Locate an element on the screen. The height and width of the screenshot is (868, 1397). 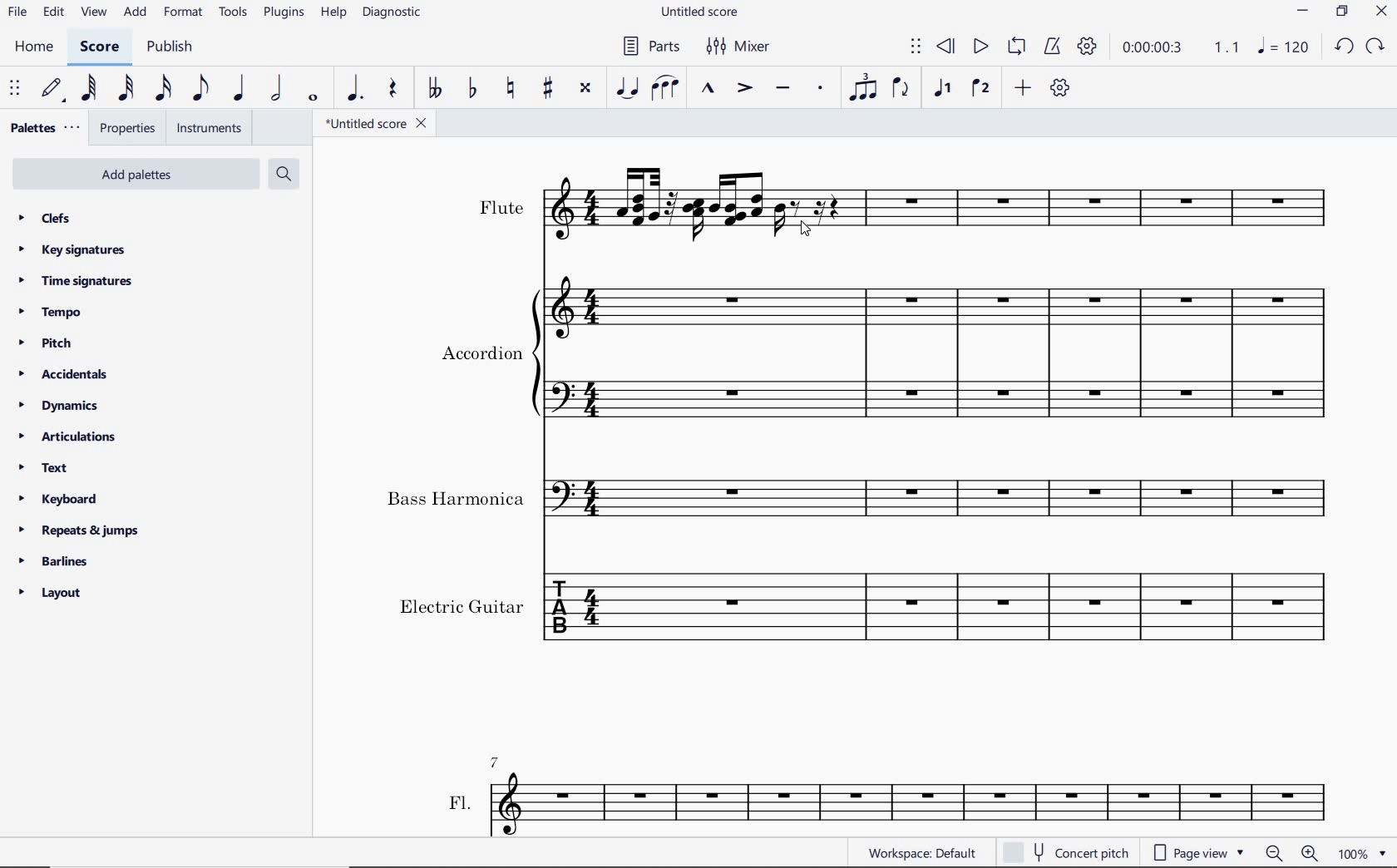
HOME is located at coordinates (35, 49).